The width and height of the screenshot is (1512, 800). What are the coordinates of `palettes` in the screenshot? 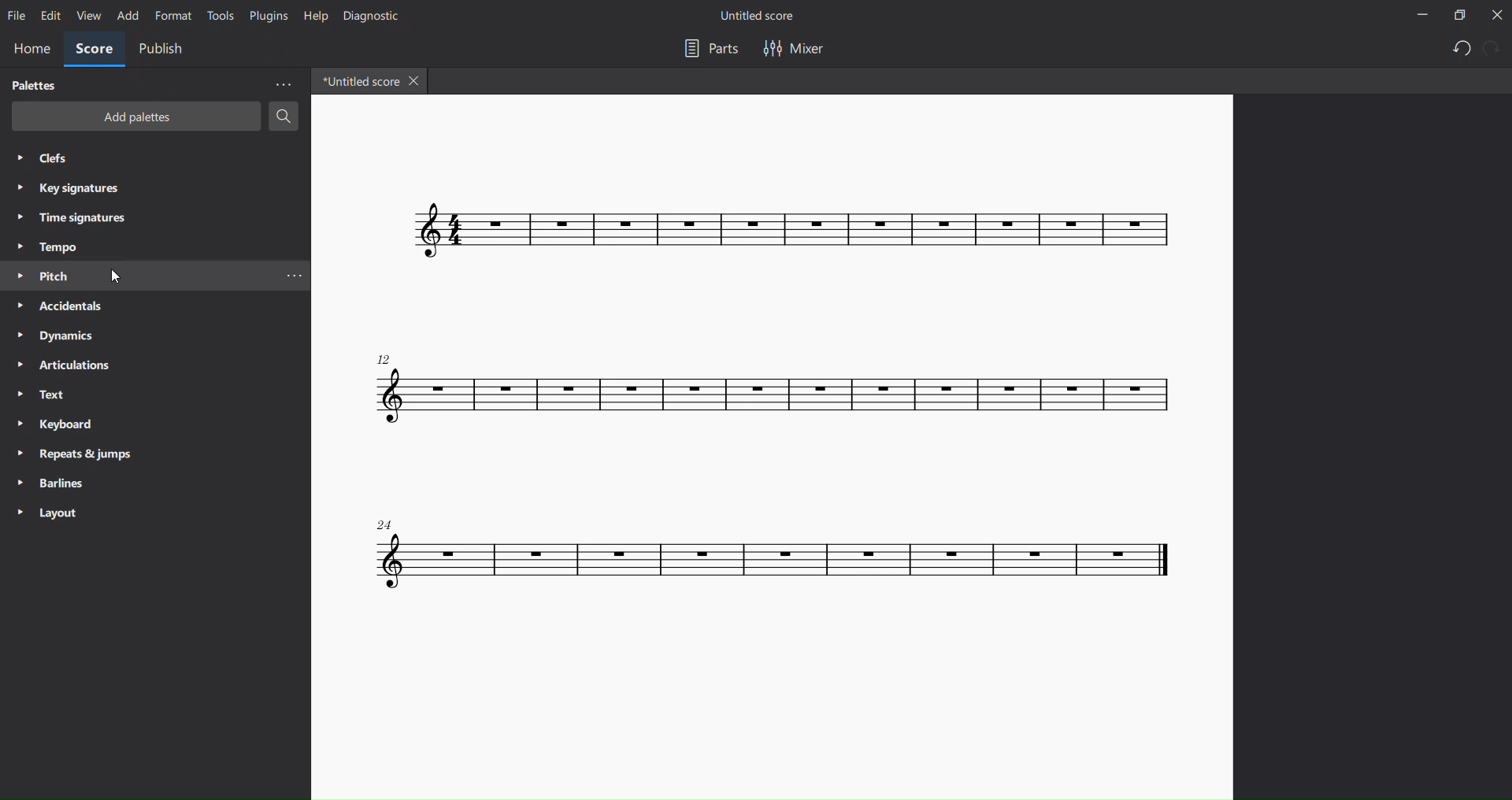 It's located at (35, 85).